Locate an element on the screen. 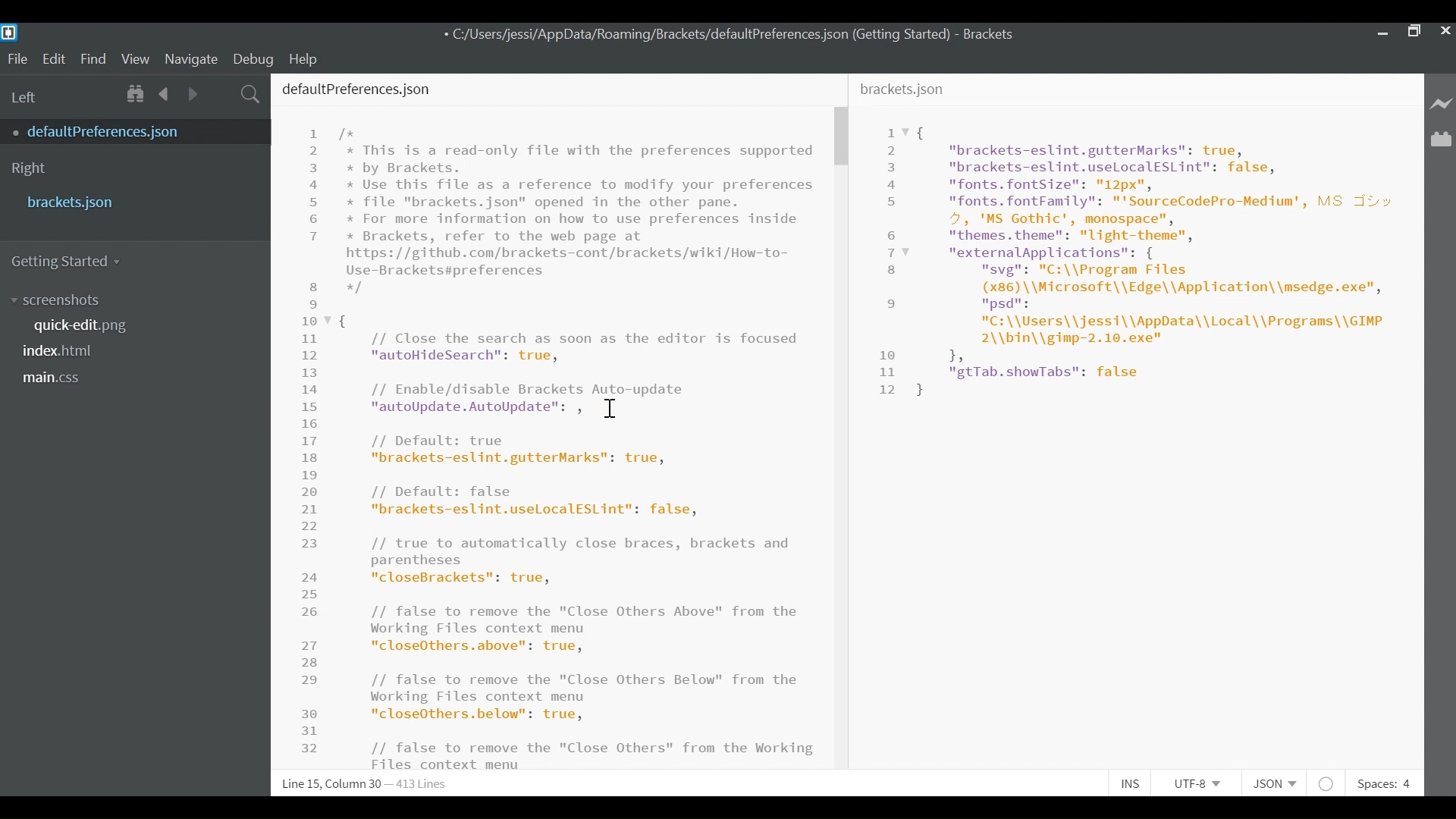 The width and height of the screenshot is (1456, 819). Split the Editor Vertically or Horizontally is located at coordinates (221, 93).